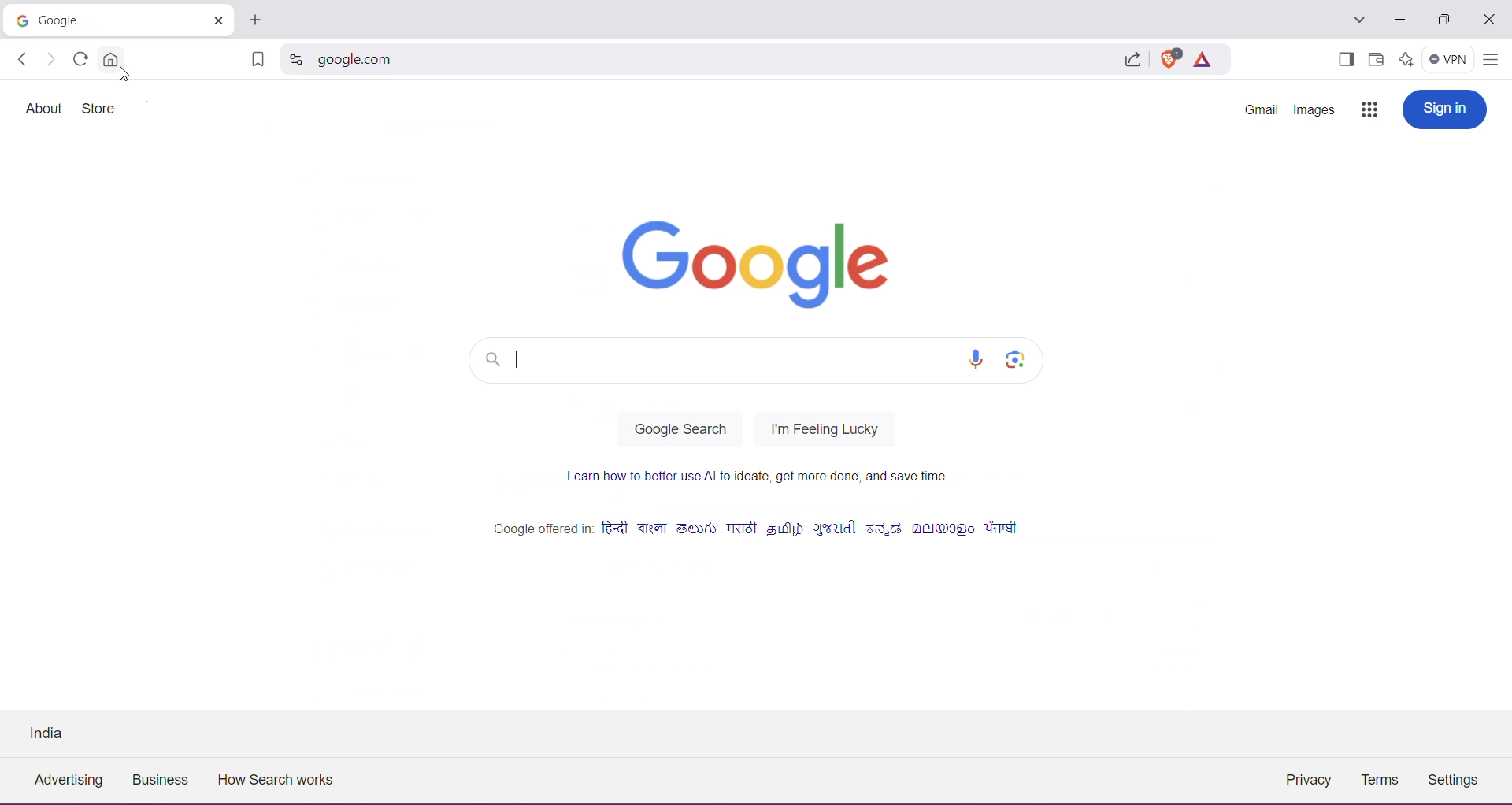  Describe the element at coordinates (1308, 778) in the screenshot. I see `Privacy` at that location.